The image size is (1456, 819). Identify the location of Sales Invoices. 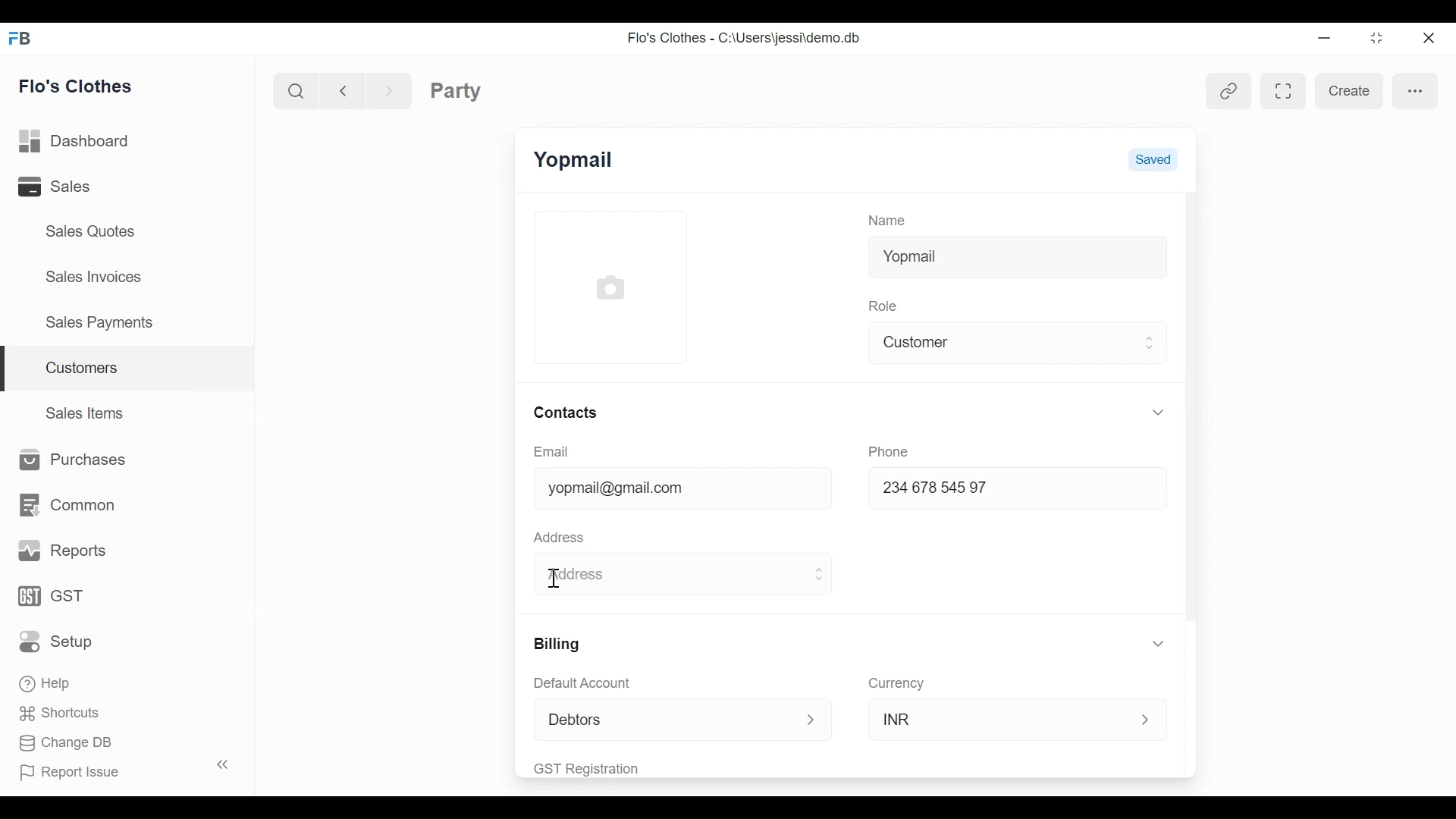
(96, 275).